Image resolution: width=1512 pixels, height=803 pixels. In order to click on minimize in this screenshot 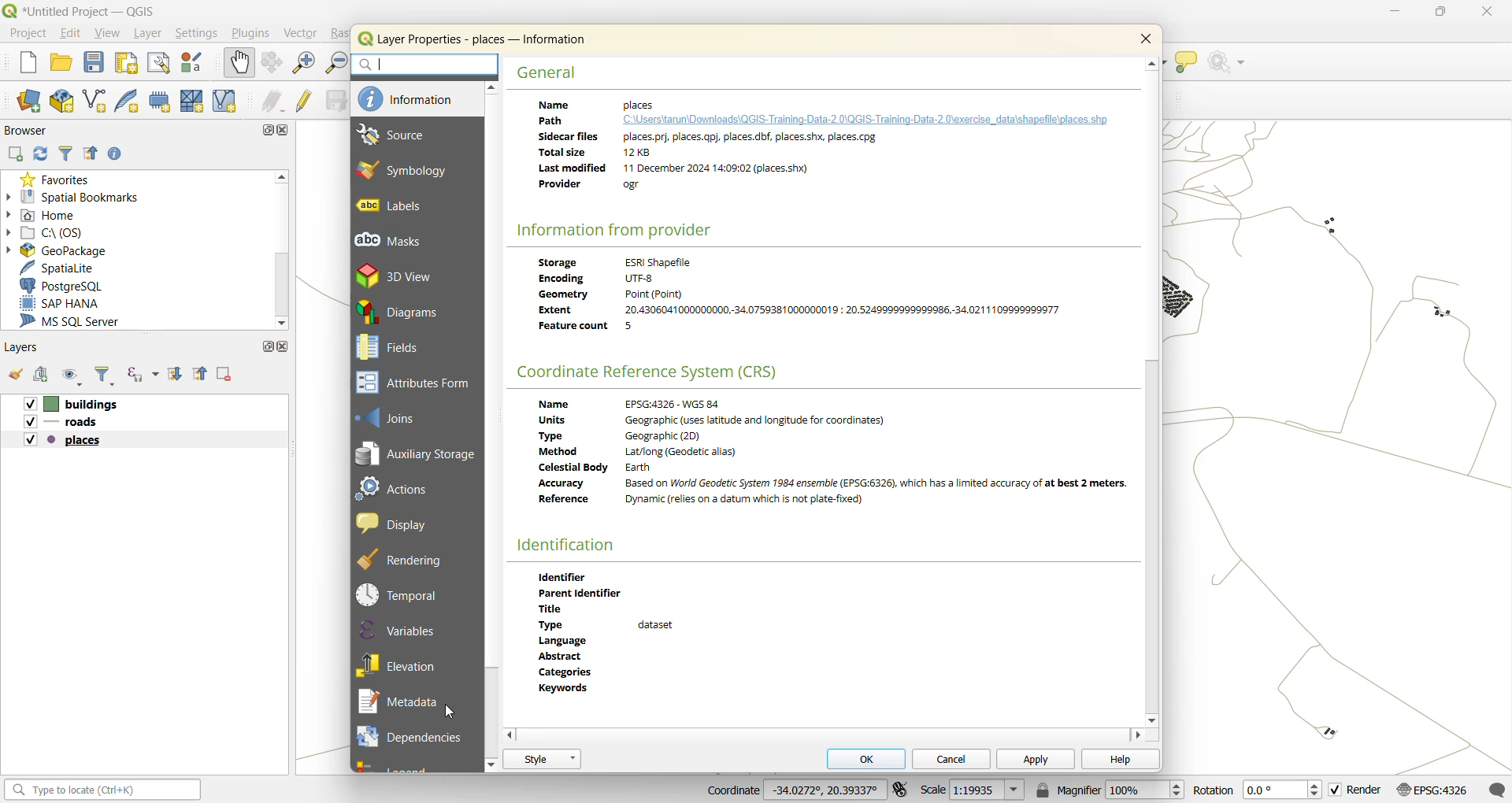, I will do `click(1401, 11)`.